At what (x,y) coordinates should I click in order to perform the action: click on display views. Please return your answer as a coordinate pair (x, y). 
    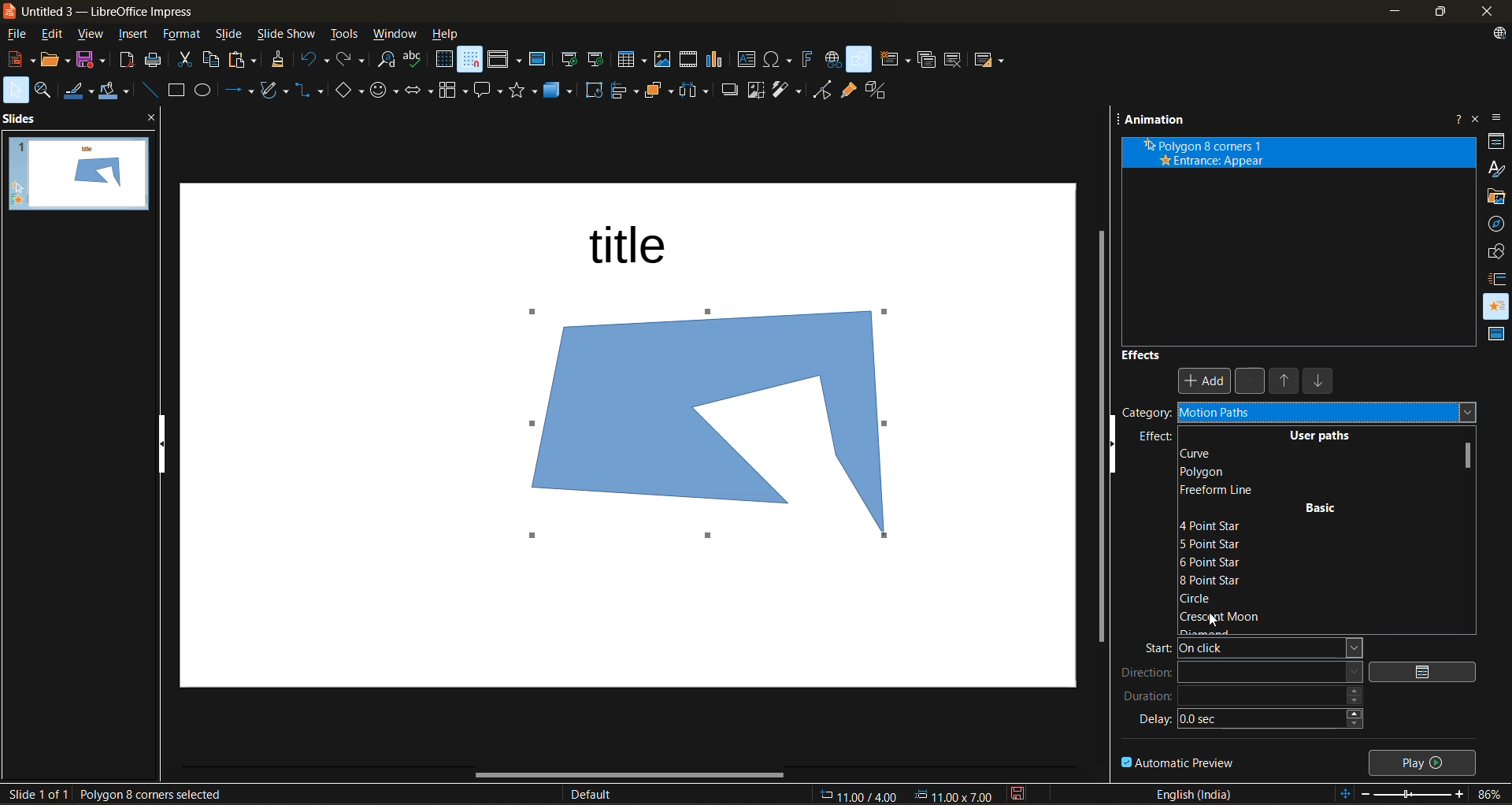
    Looking at the image, I should click on (503, 61).